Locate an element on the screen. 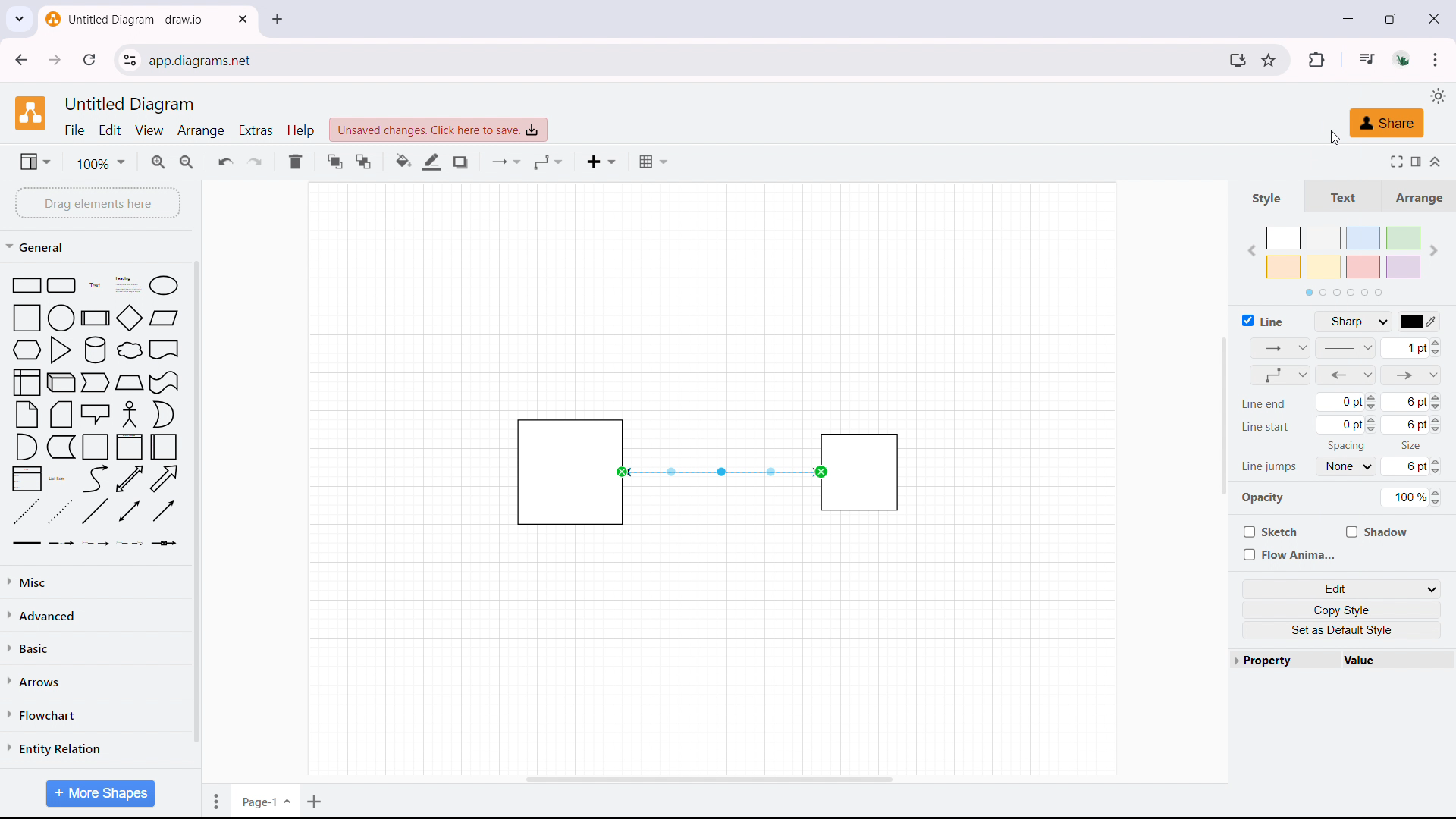 The image size is (1456, 819). fullscreen is located at coordinates (1394, 161).